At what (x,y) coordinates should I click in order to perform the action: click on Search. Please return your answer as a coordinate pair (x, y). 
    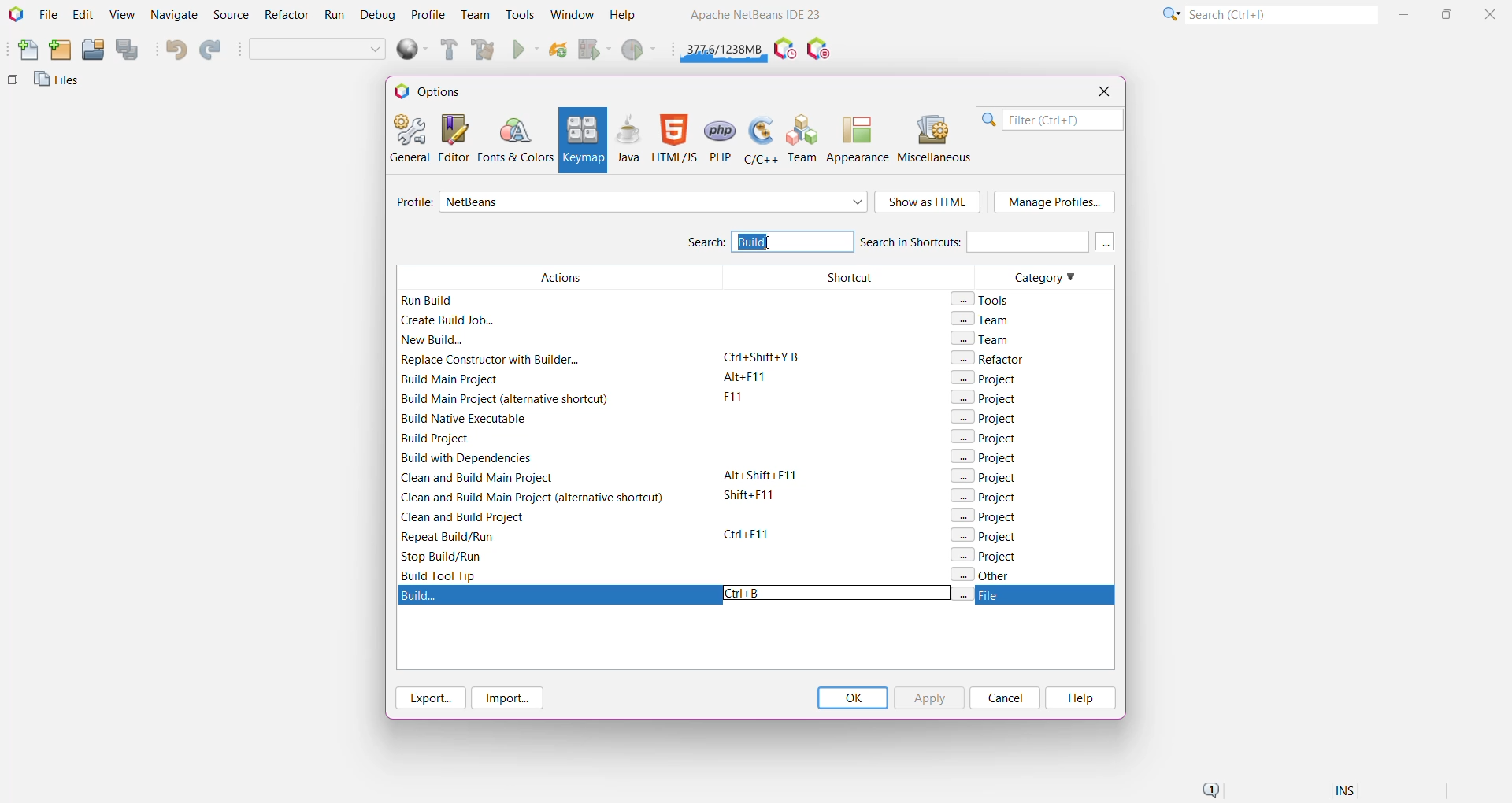
    Looking at the image, I should click on (1280, 13).